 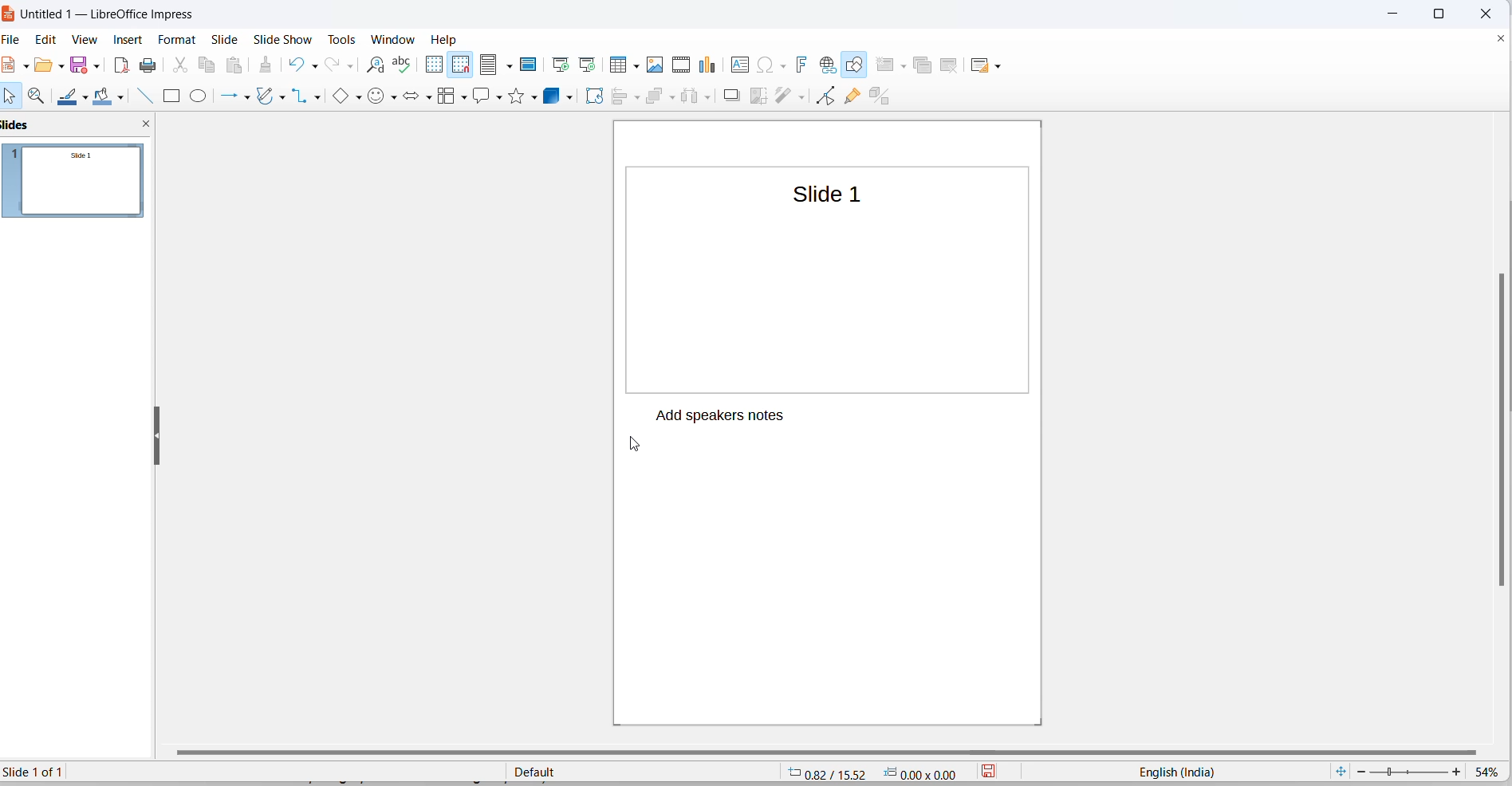 I want to click on save, so click(x=80, y=64).